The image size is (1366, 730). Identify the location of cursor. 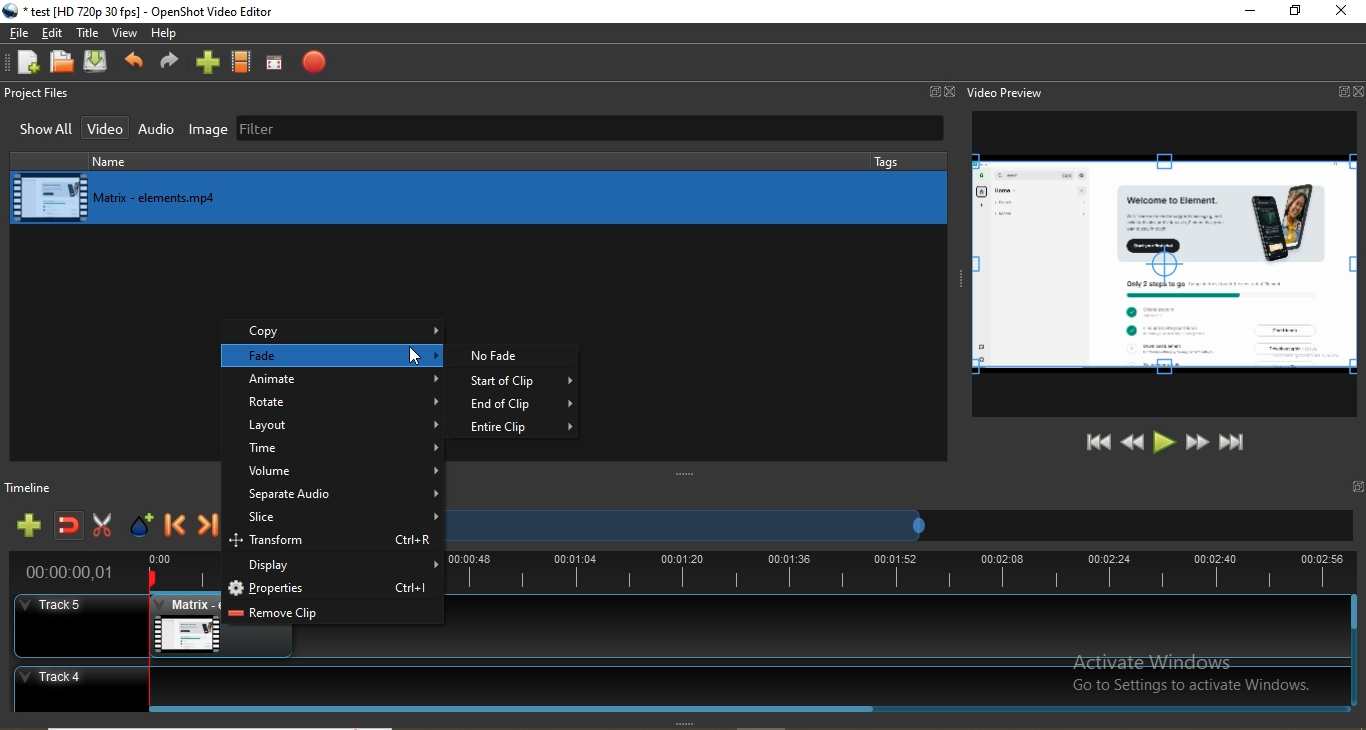
(416, 358).